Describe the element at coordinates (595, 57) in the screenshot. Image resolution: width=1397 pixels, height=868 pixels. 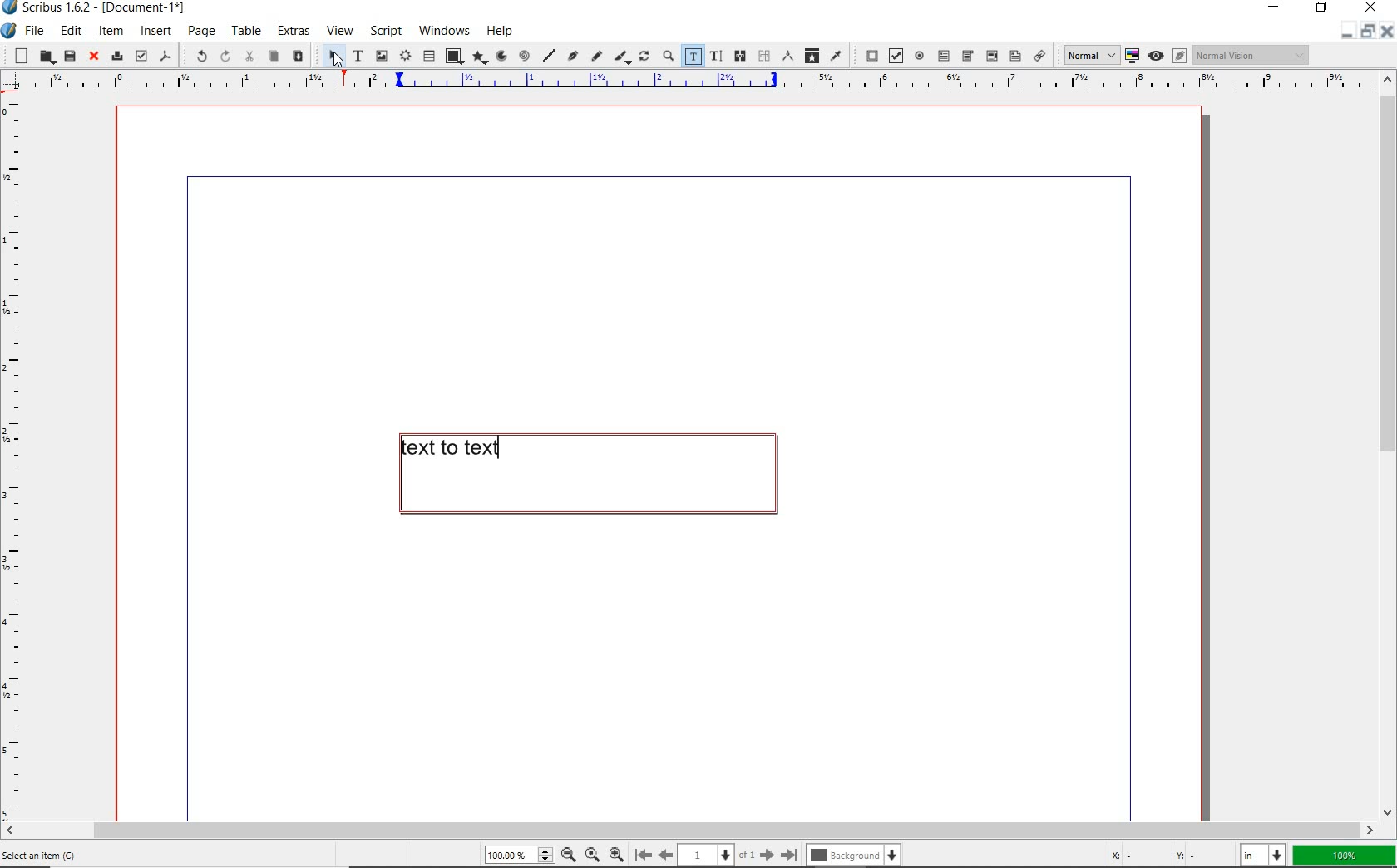
I see `freehand line` at that location.